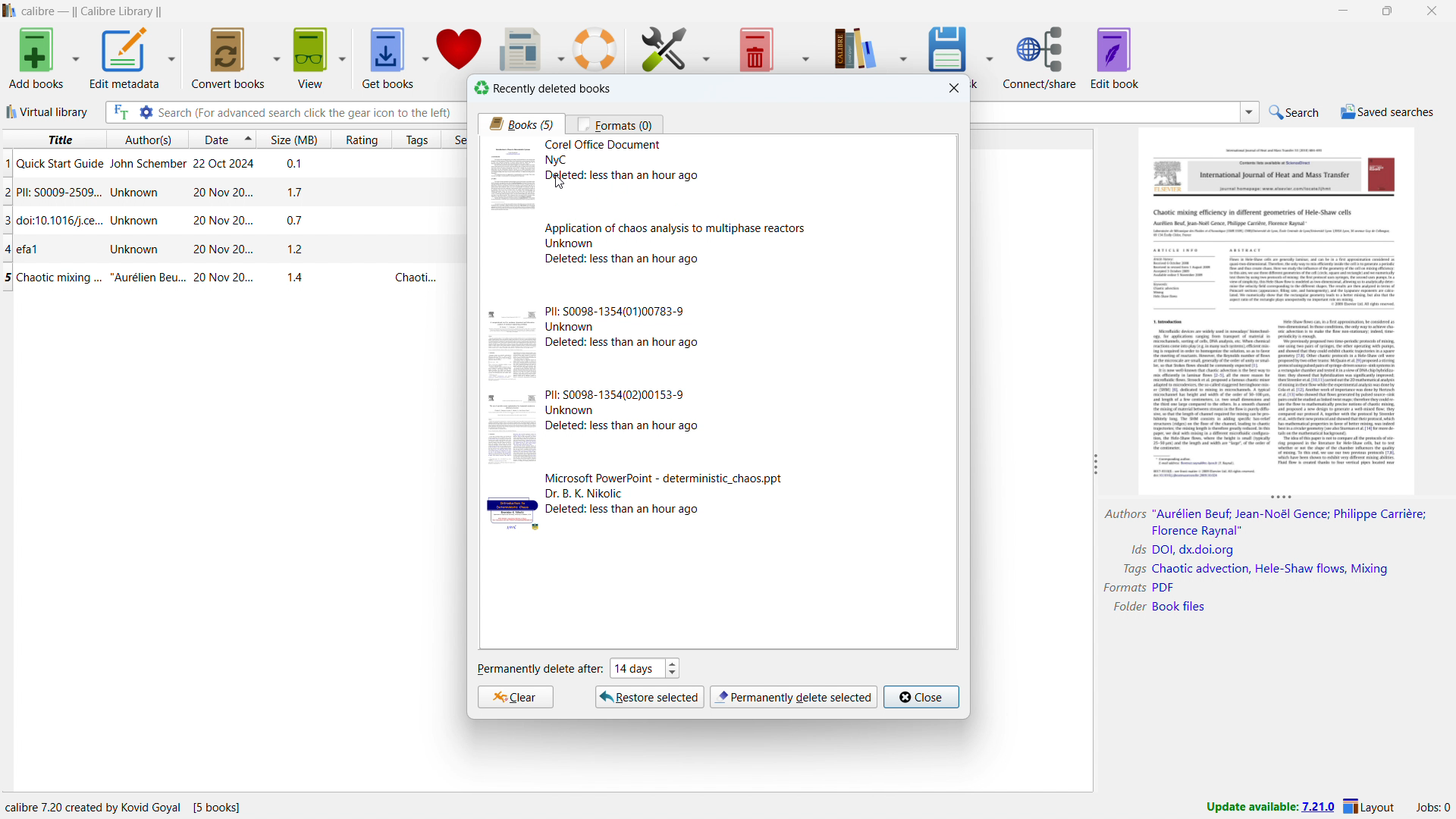 The image size is (1456, 819). Describe the element at coordinates (248, 139) in the screenshot. I see `select sorting order` at that location.